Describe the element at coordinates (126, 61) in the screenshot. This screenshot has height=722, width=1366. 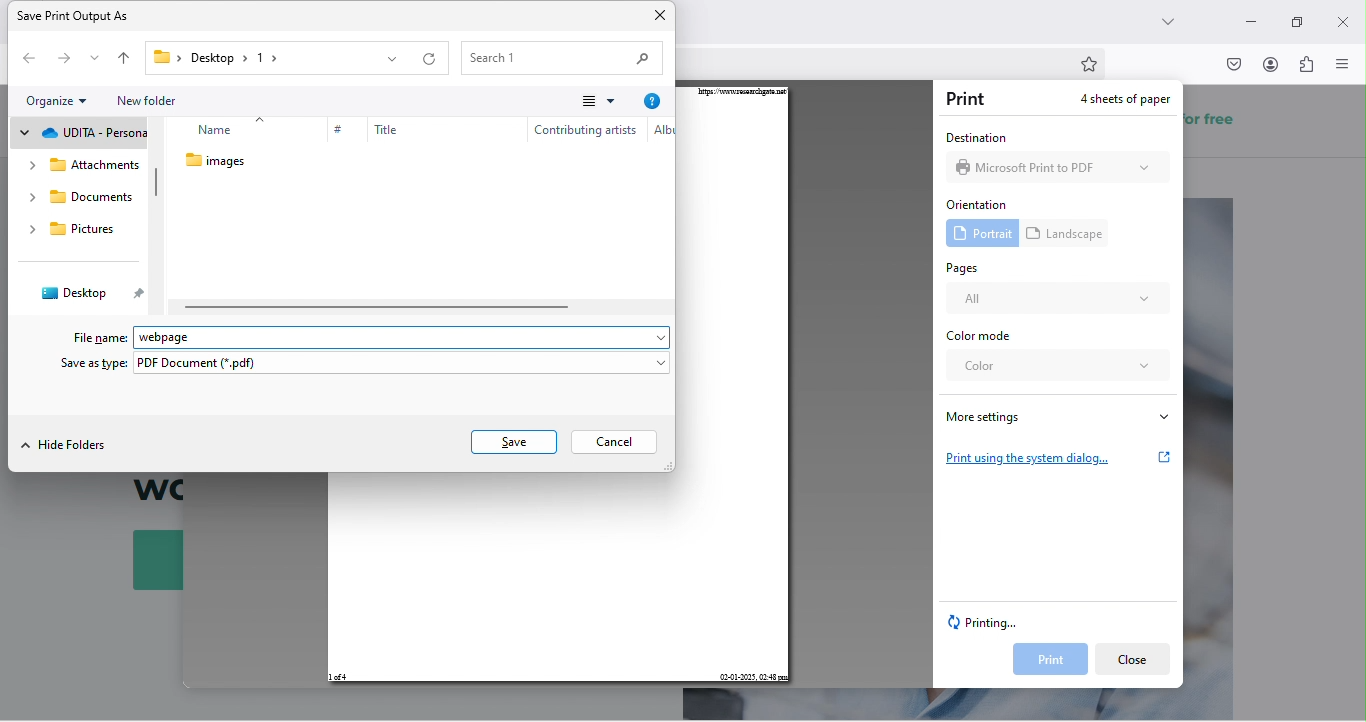
I see `up to` at that location.